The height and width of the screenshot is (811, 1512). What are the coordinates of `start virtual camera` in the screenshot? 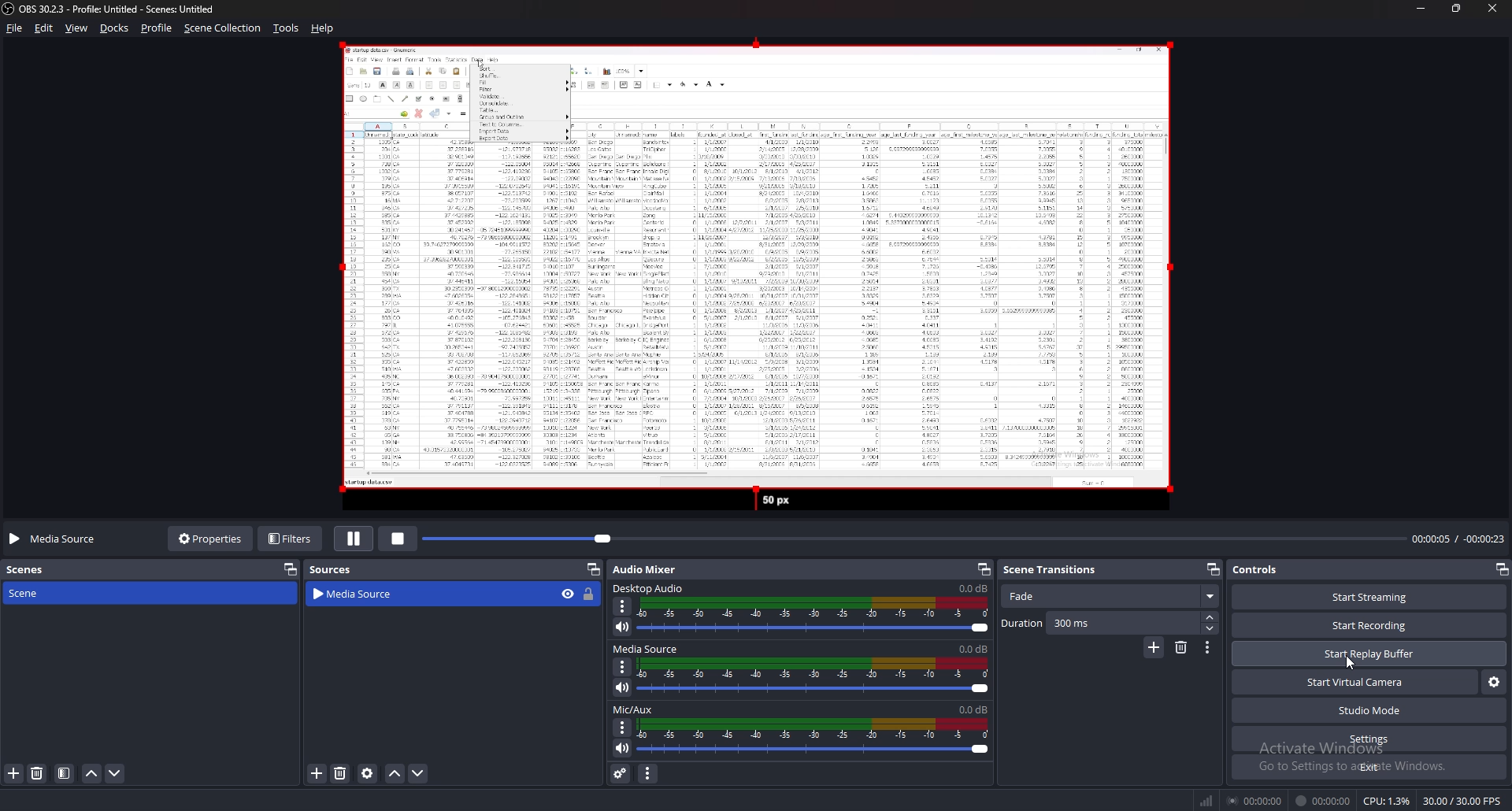 It's located at (1355, 682).